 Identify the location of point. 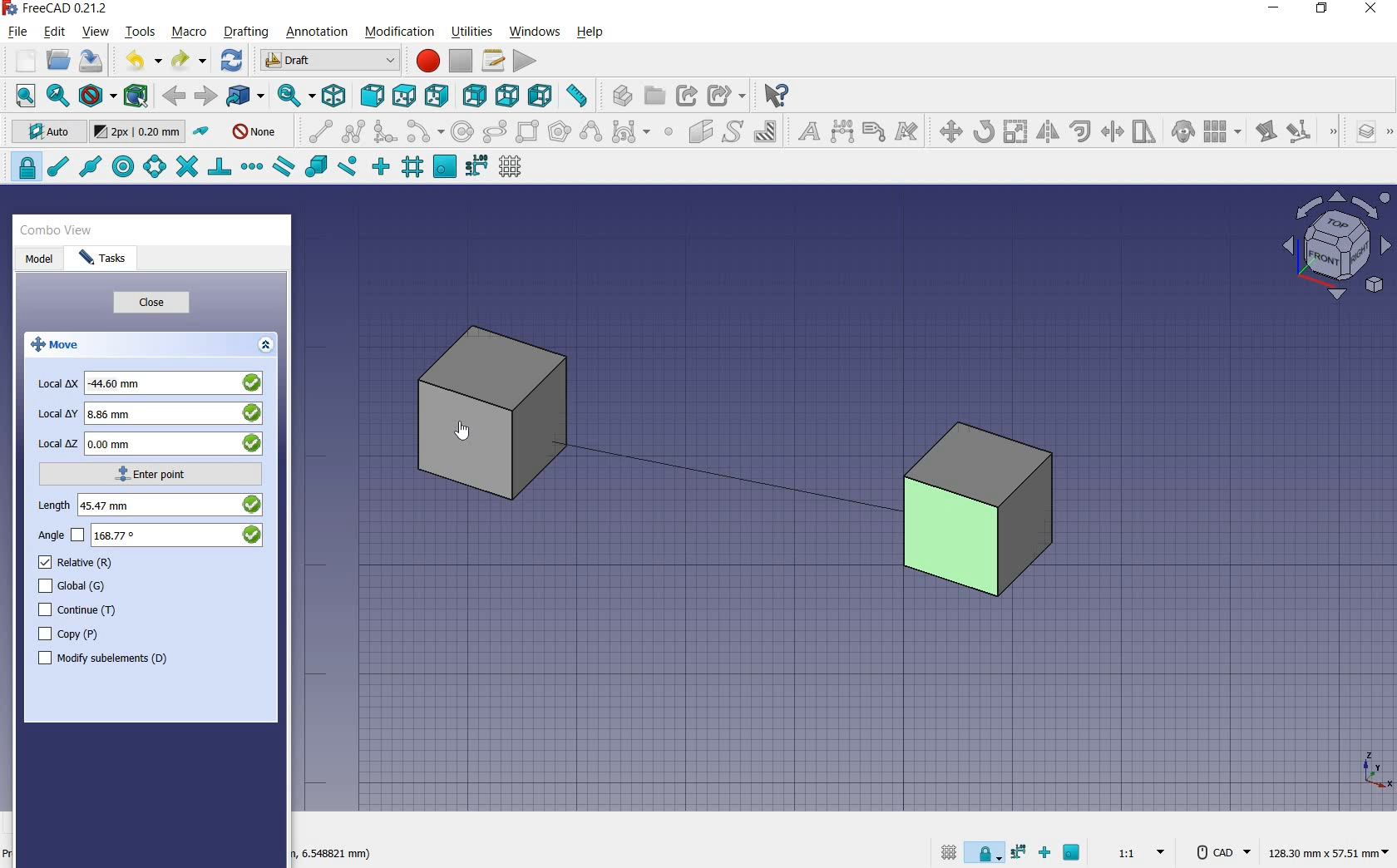
(669, 133).